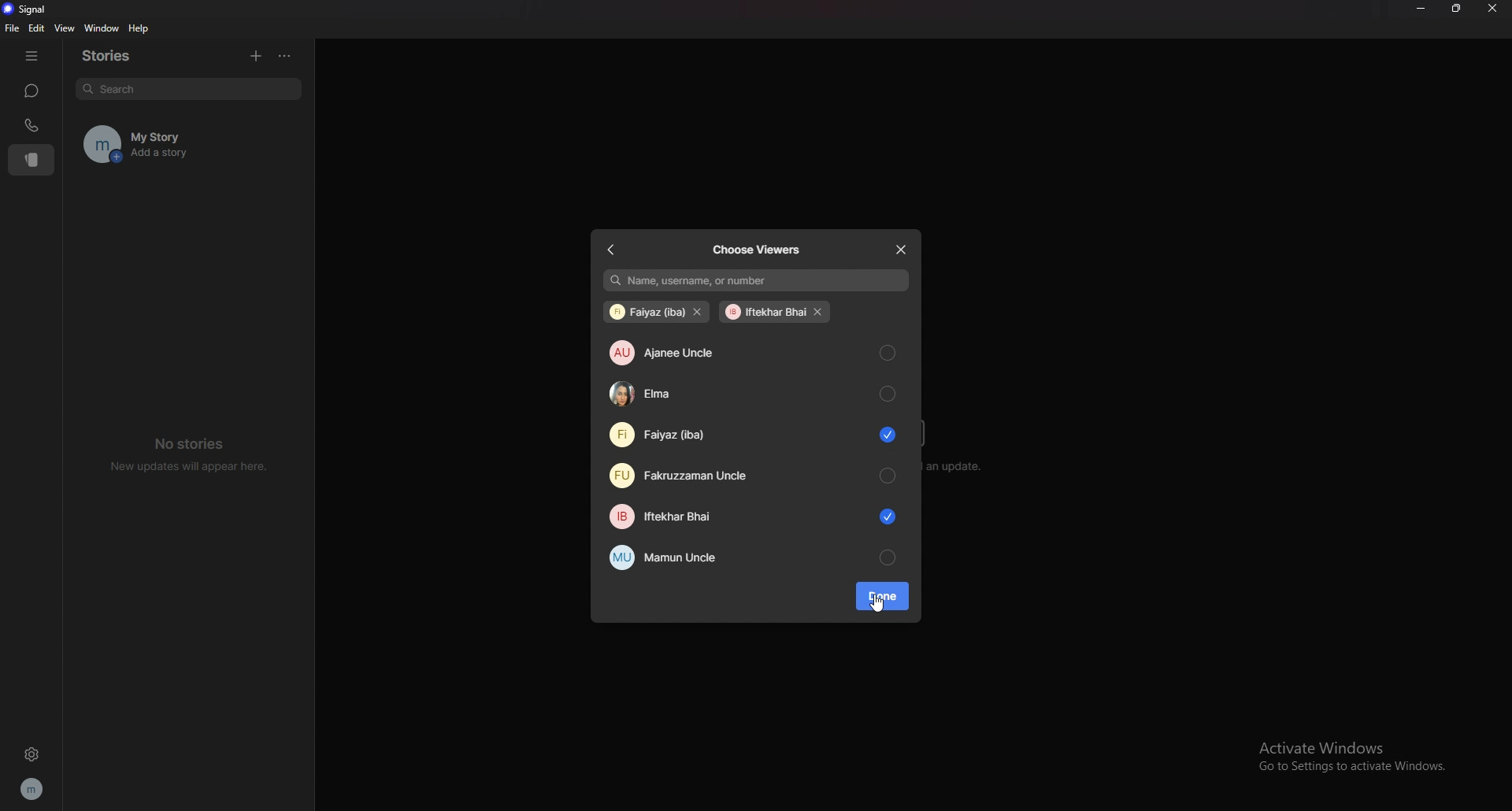 The height and width of the screenshot is (811, 1512). Describe the element at coordinates (31, 755) in the screenshot. I see `settings` at that location.